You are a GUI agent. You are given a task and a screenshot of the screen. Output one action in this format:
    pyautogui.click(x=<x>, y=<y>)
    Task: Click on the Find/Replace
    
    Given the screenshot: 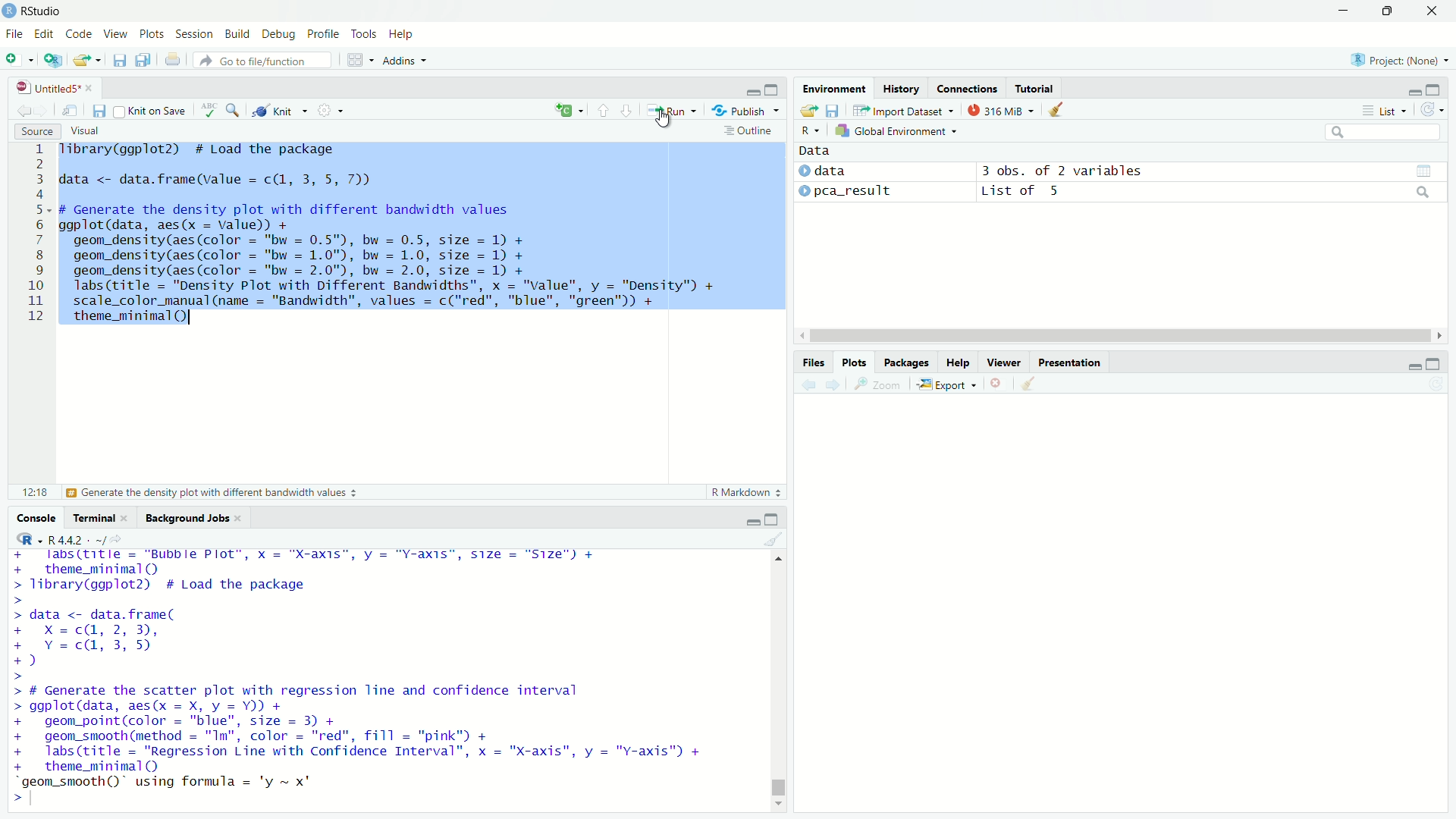 What is the action you would take?
    pyautogui.click(x=233, y=109)
    